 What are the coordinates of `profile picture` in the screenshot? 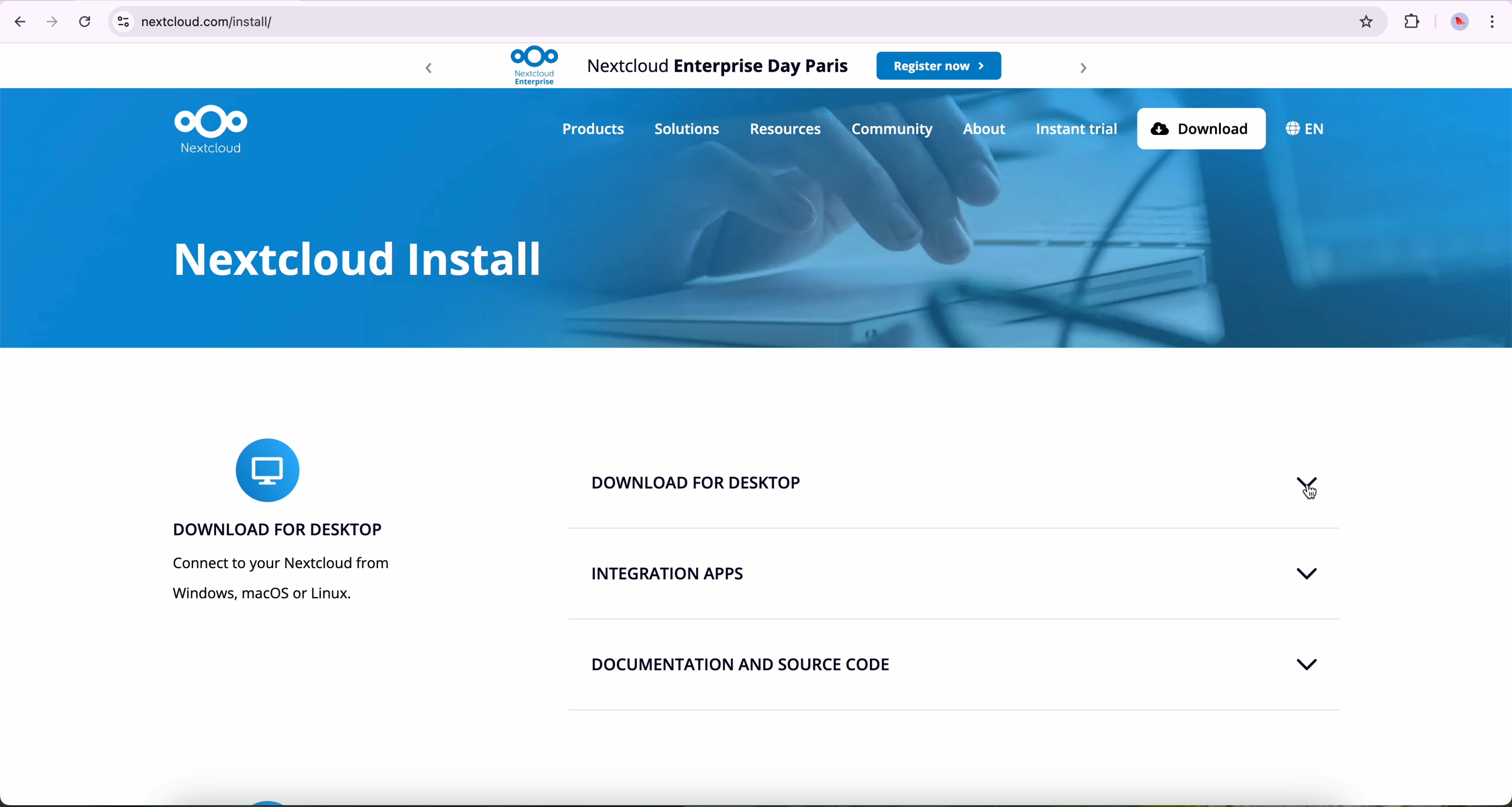 It's located at (1460, 22).